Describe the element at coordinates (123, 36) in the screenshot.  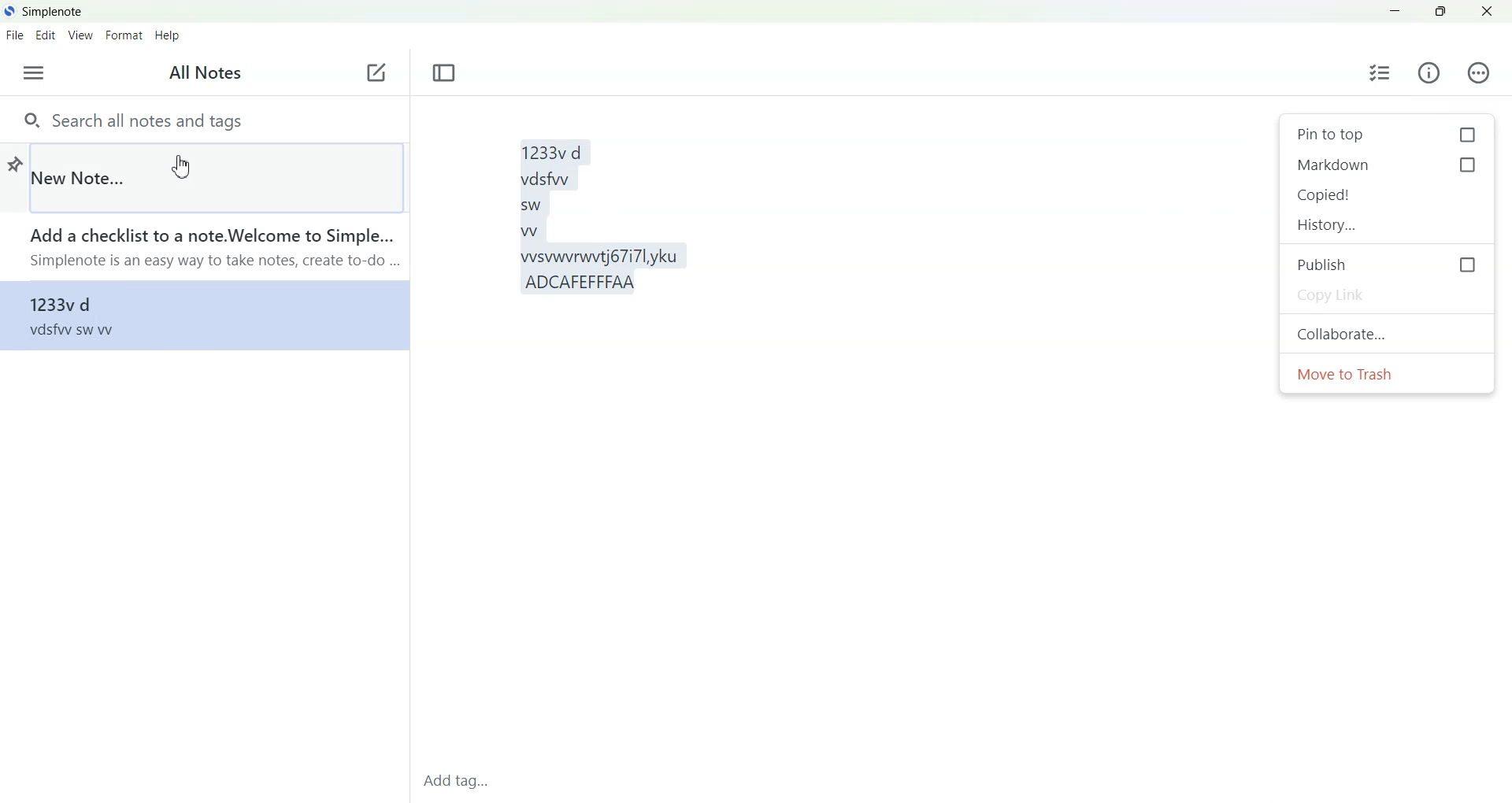
I see `Format` at that location.